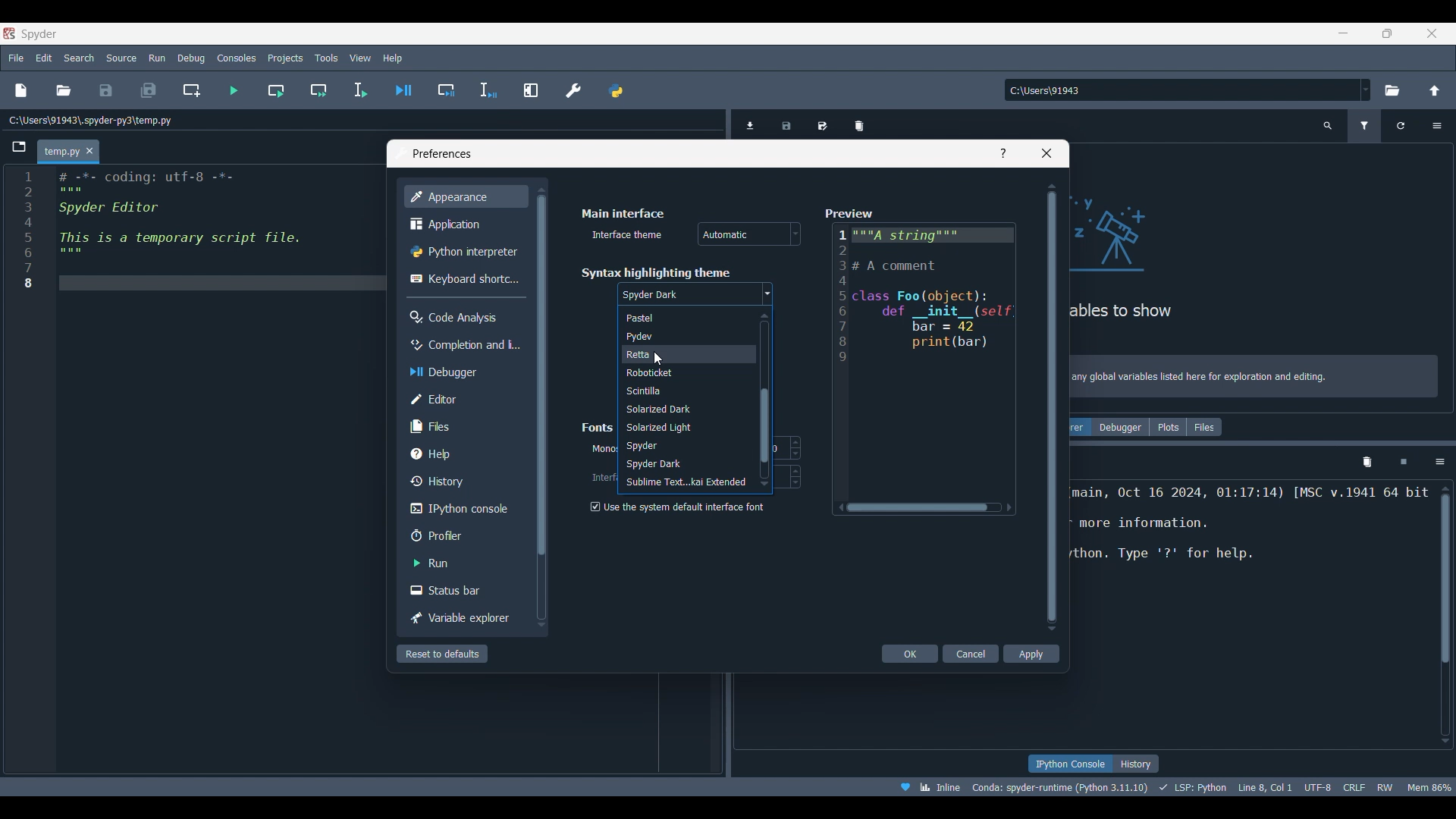 The width and height of the screenshot is (1456, 819). What do you see at coordinates (791, 476) in the screenshot?
I see `font size` at bounding box center [791, 476].